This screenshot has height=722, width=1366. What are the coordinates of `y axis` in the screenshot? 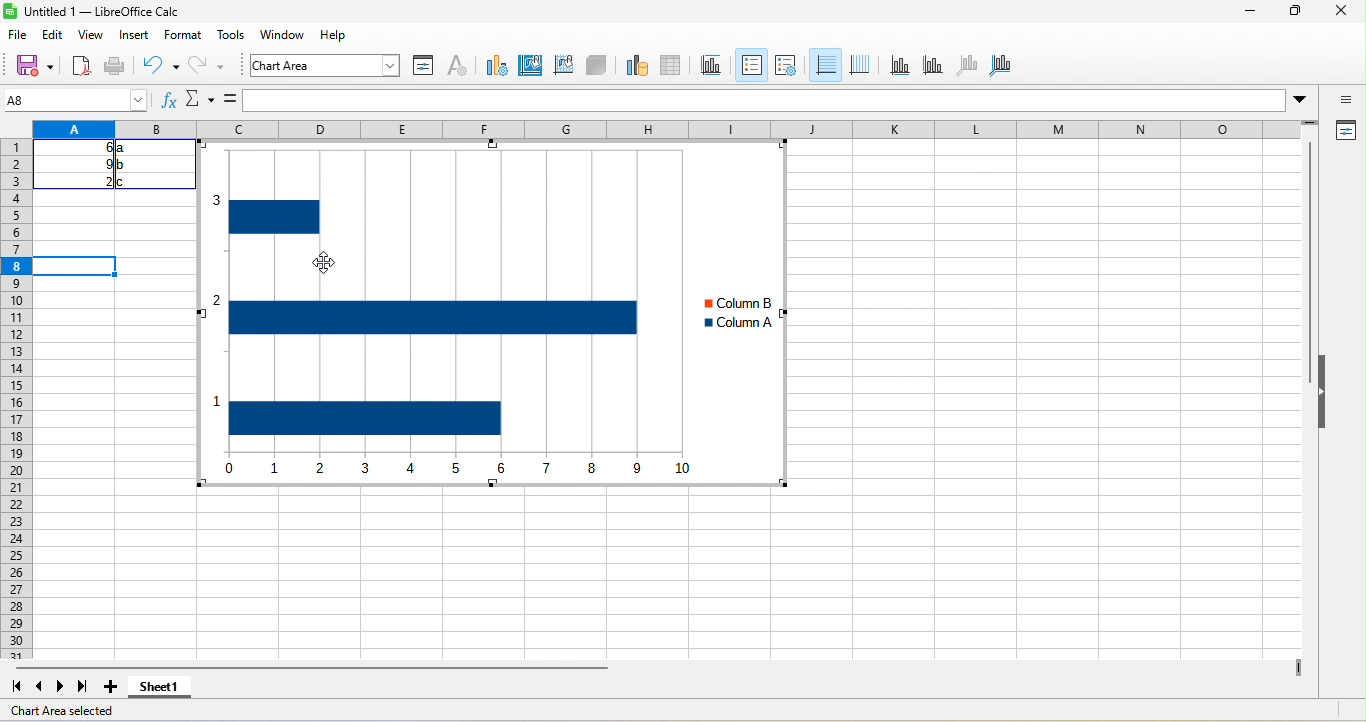 It's located at (931, 67).